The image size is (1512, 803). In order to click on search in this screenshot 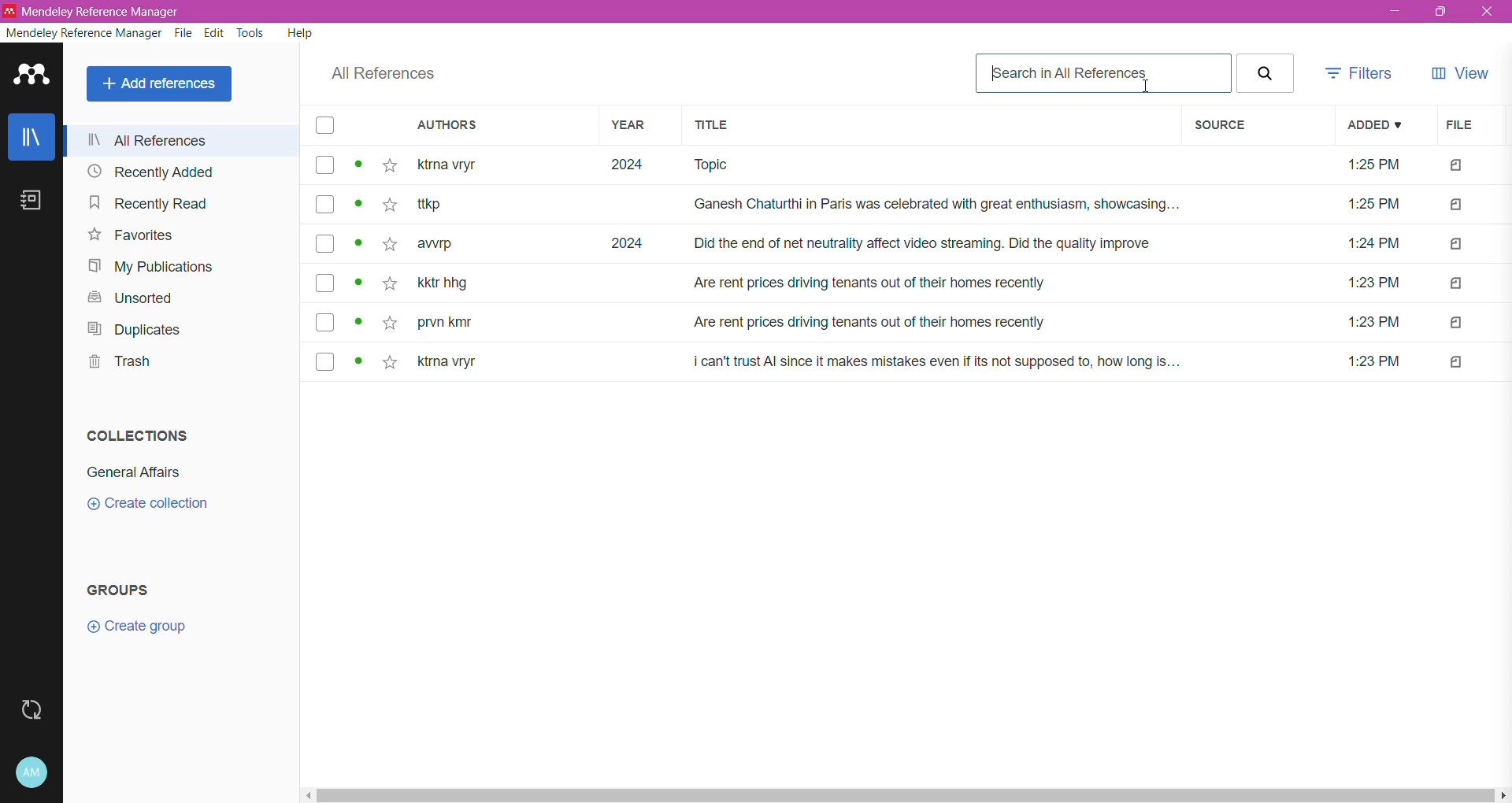, I will do `click(1266, 72)`.